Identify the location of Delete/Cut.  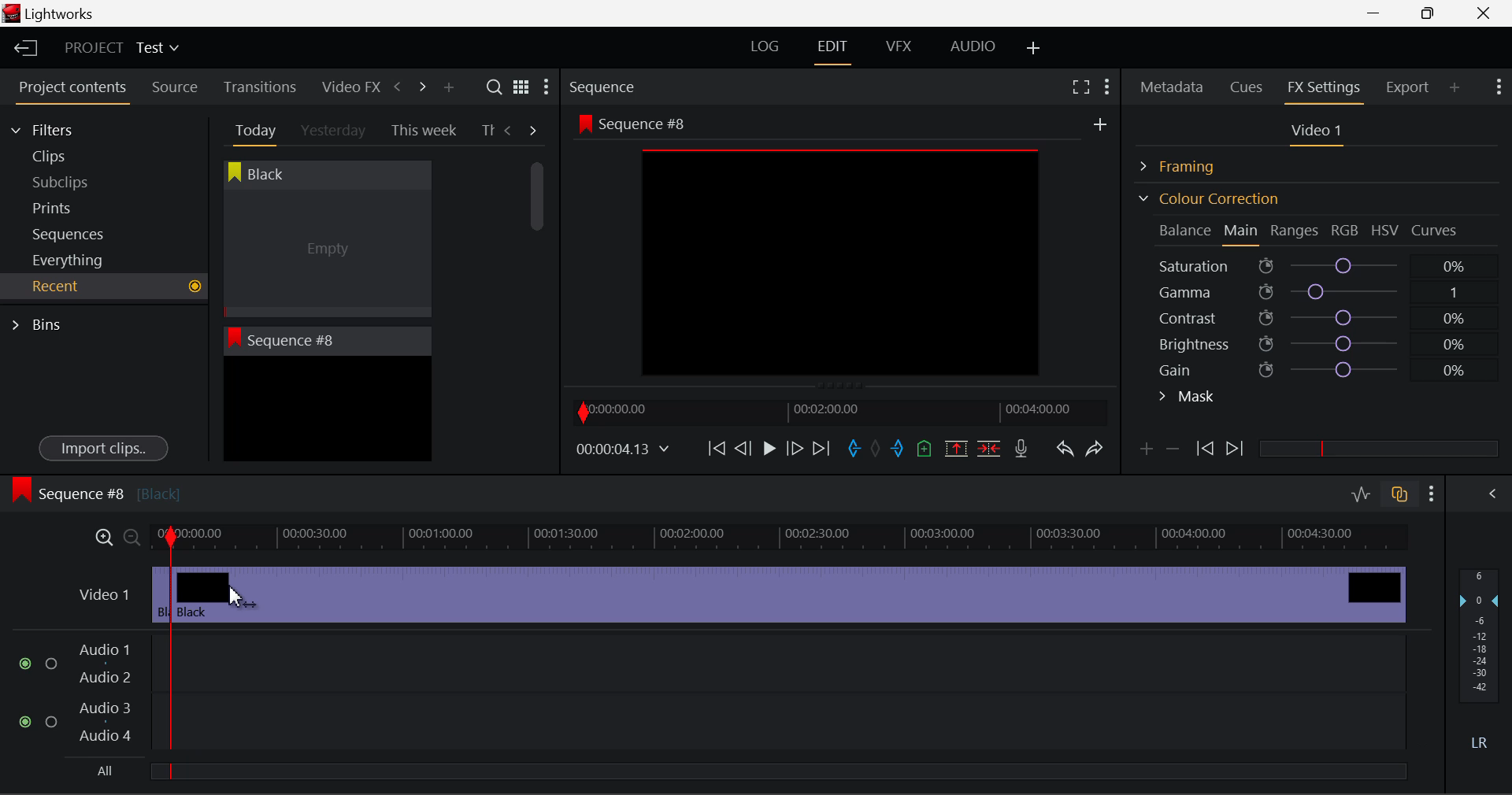
(989, 448).